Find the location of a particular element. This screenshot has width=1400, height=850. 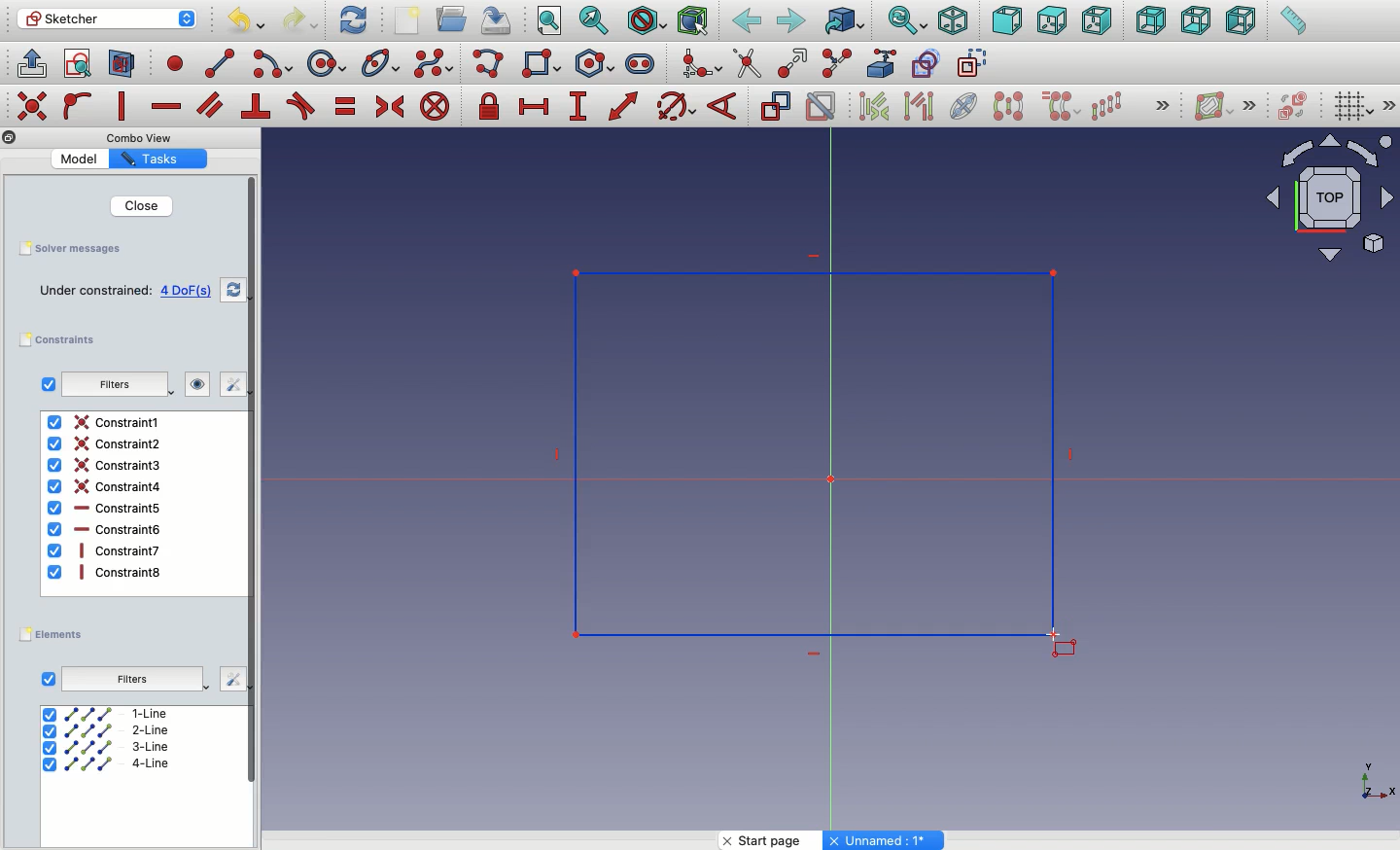

Filters is located at coordinates (131, 680).